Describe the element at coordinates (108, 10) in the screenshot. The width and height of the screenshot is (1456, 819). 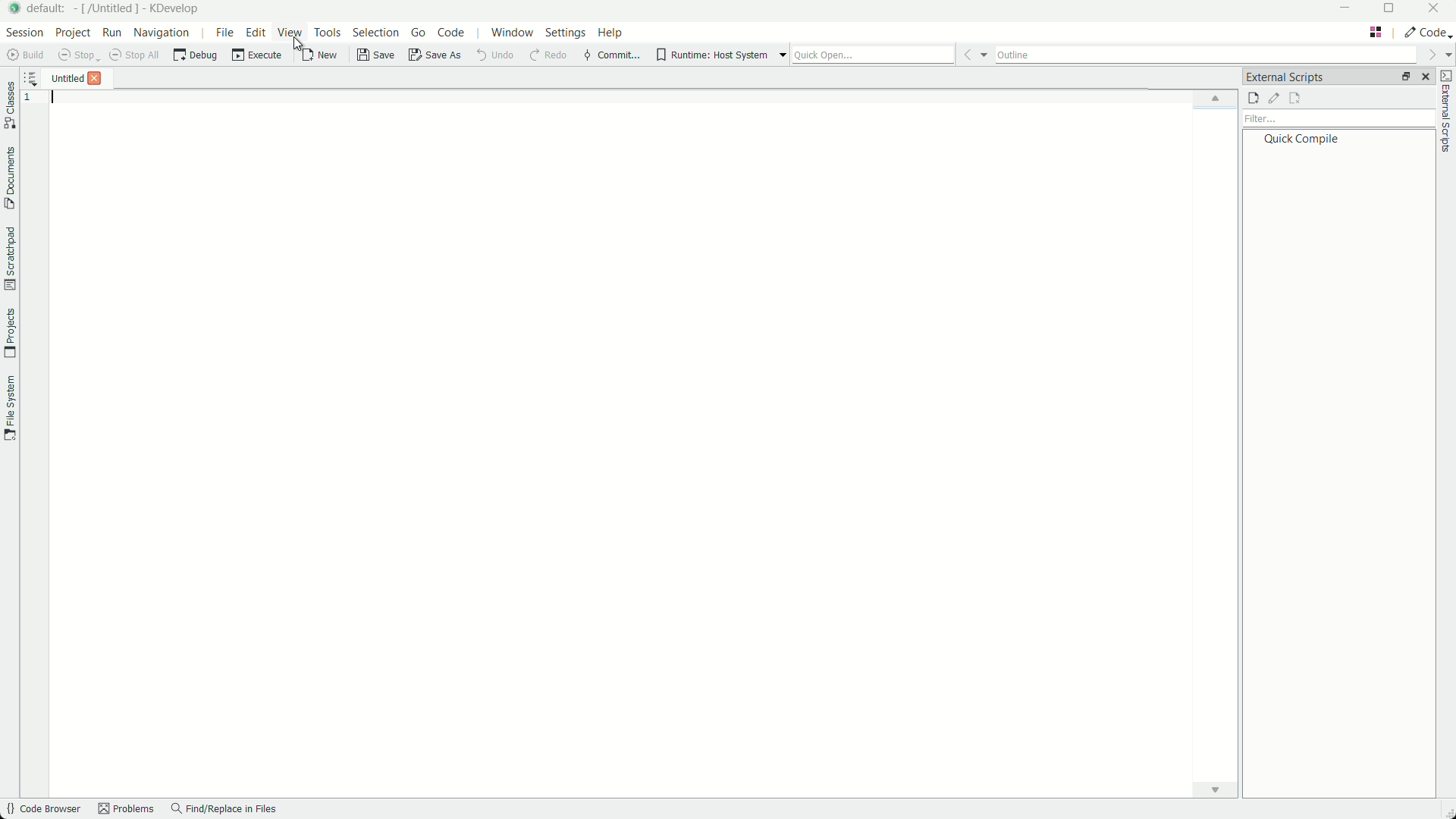
I see `[/untitled]` at that location.